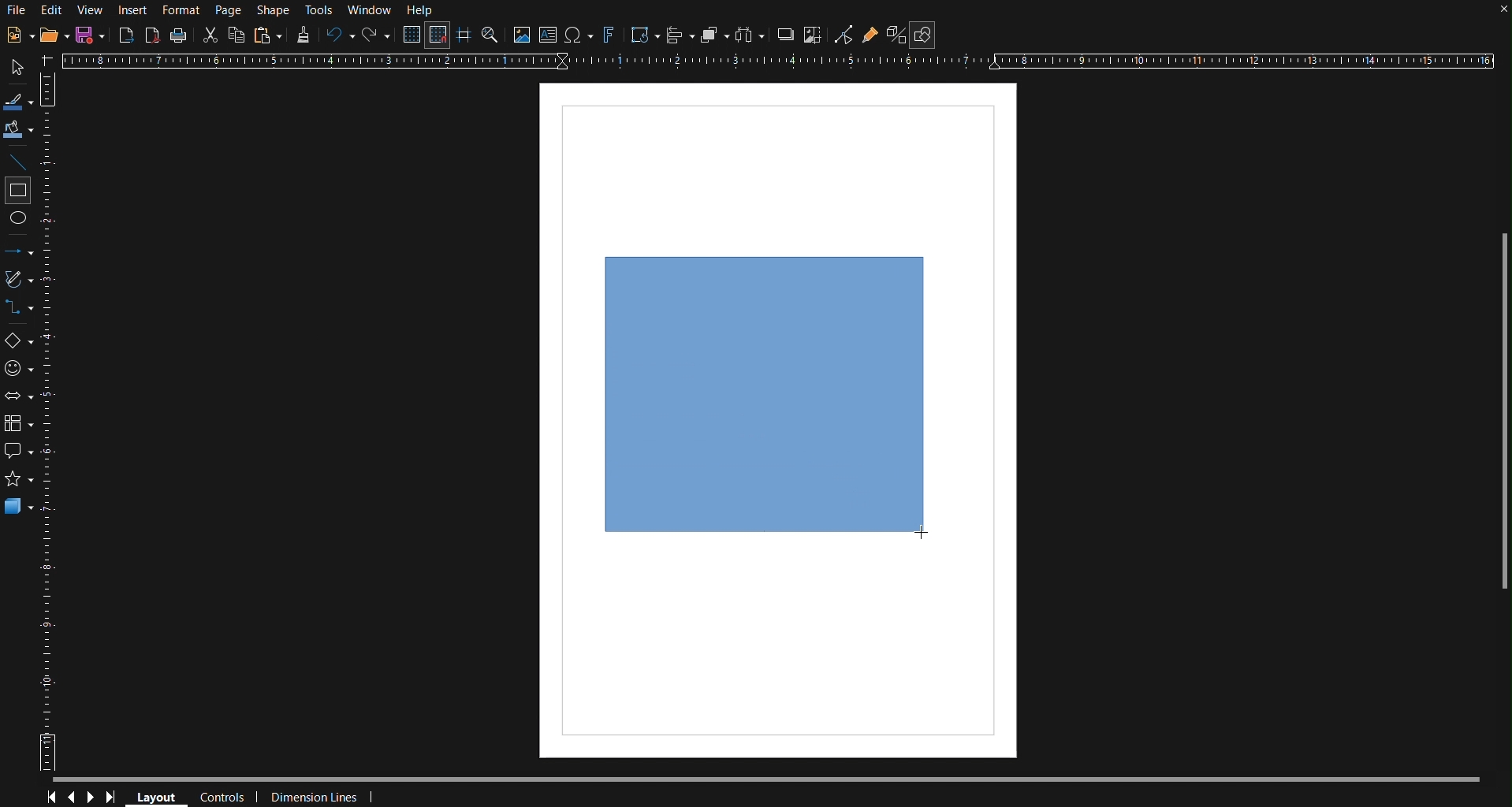 The width and height of the screenshot is (1512, 807). What do you see at coordinates (20, 426) in the screenshot?
I see `Flowchart` at bounding box center [20, 426].